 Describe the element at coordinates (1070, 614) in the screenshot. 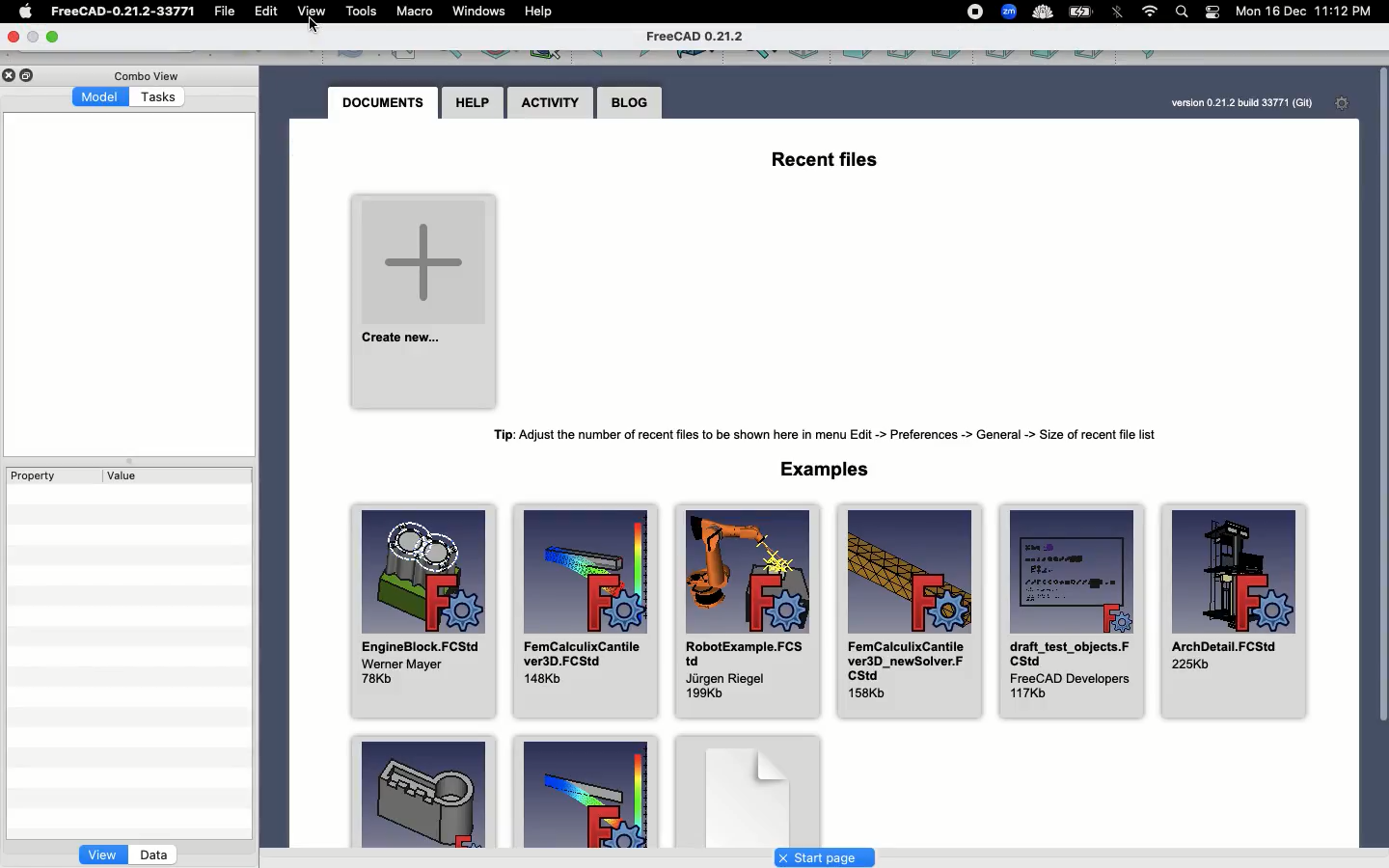

I see `draft_test_objects.FCStd FreeCAD Developers 117Kb` at that location.